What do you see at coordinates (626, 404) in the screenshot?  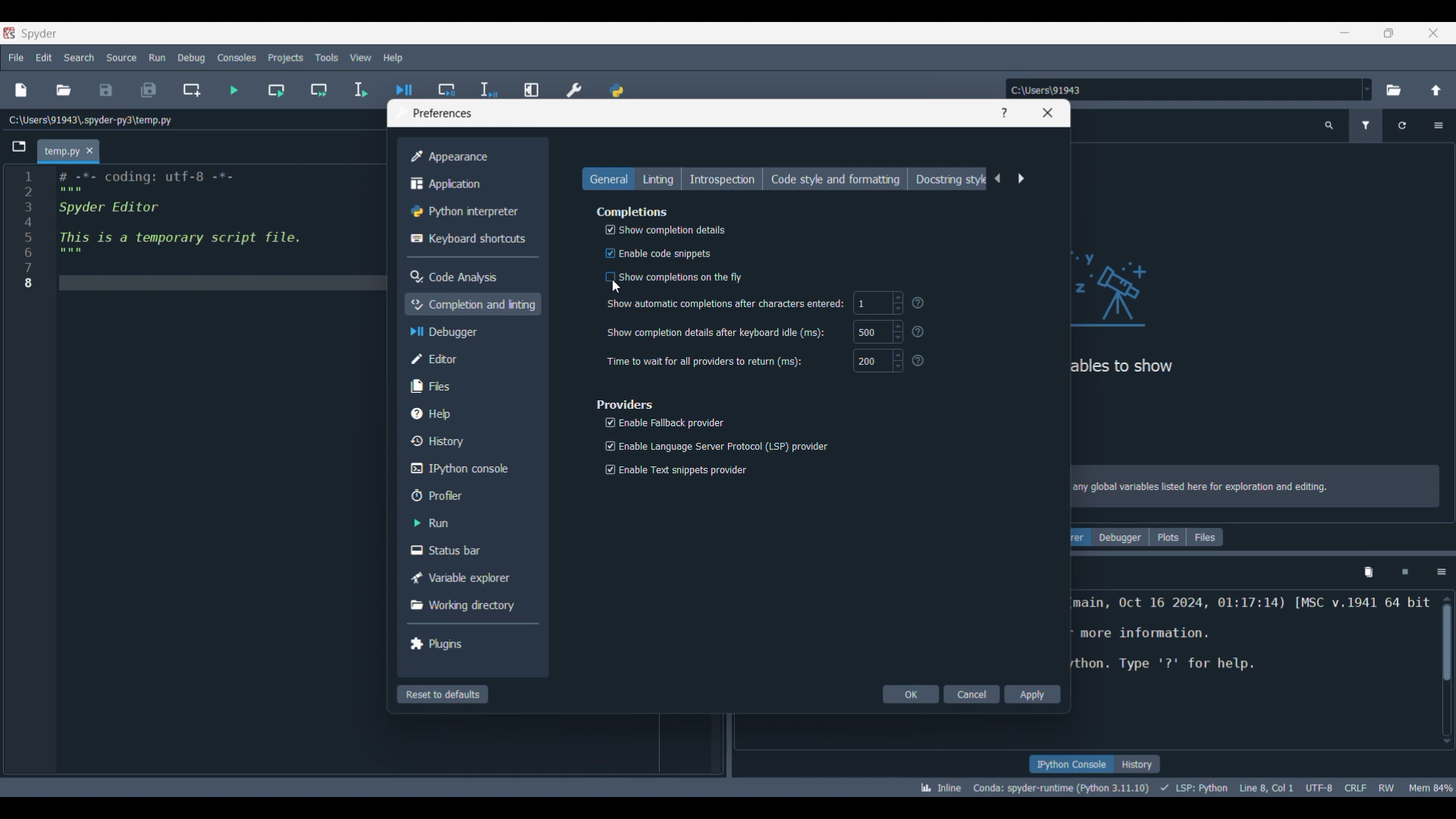 I see `Section title` at bounding box center [626, 404].